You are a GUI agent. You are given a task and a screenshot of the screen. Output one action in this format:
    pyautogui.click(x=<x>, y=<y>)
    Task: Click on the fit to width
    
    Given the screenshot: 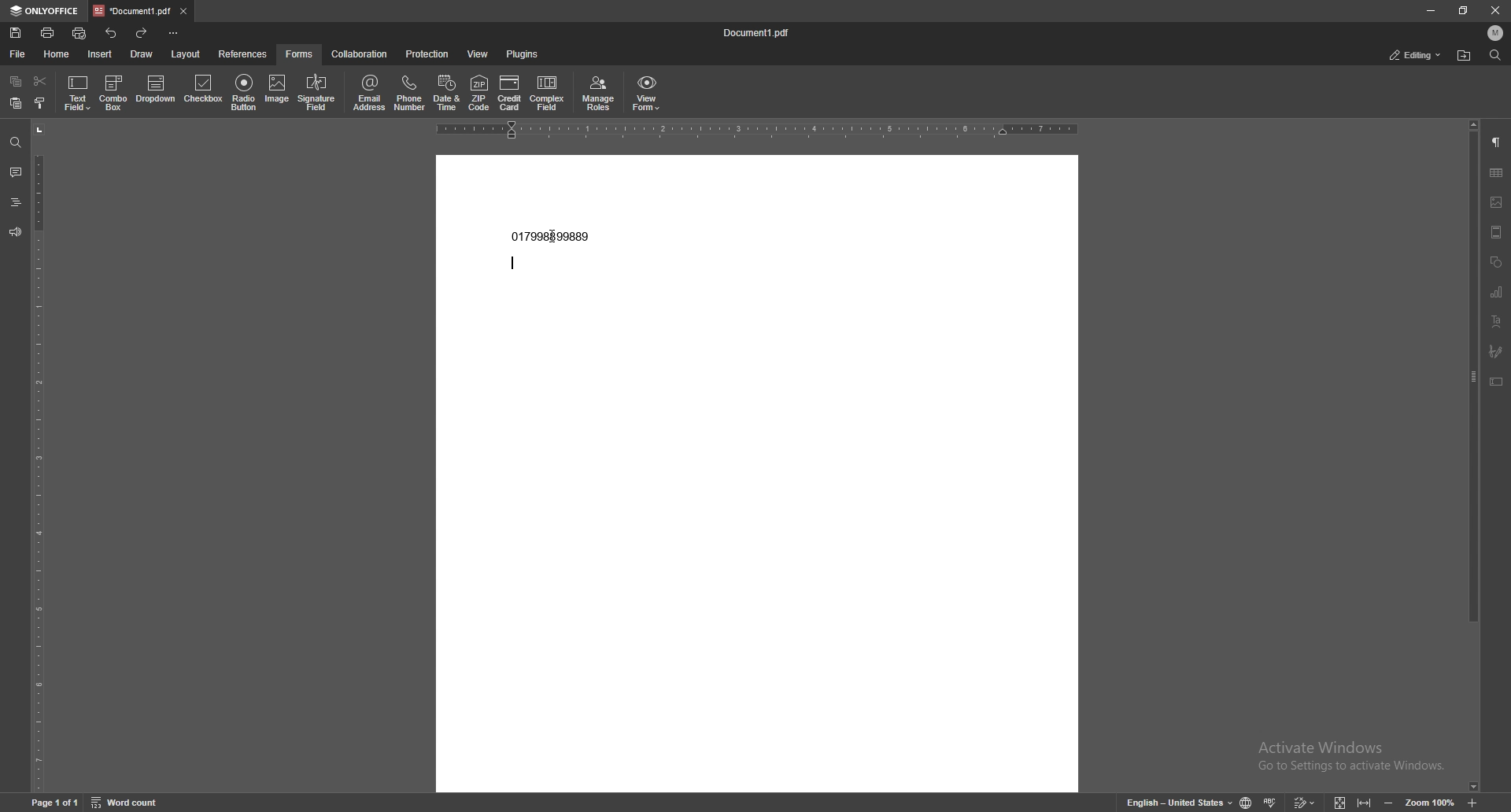 What is the action you would take?
    pyautogui.click(x=1365, y=803)
    